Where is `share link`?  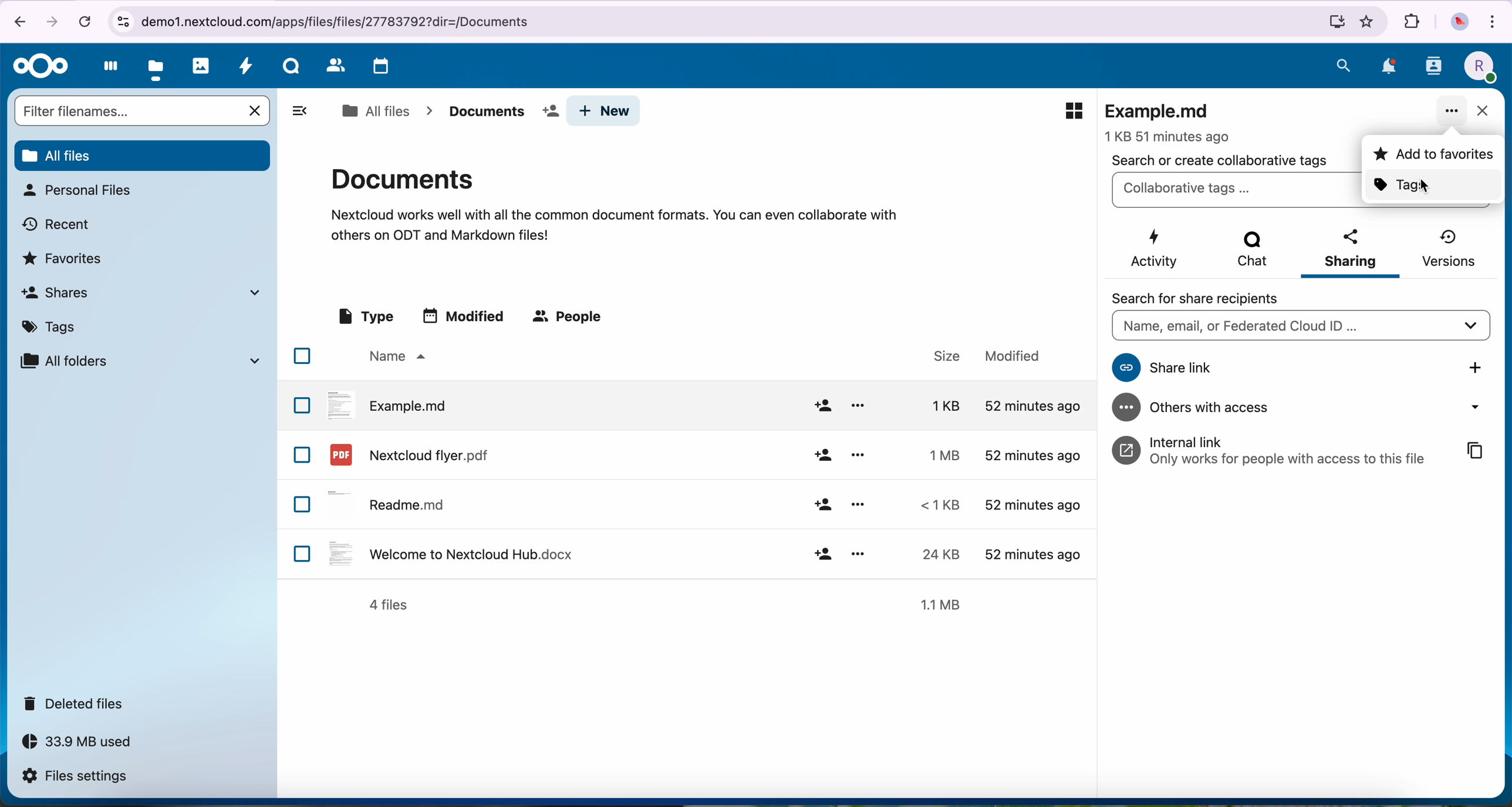 share link is located at coordinates (1258, 368).